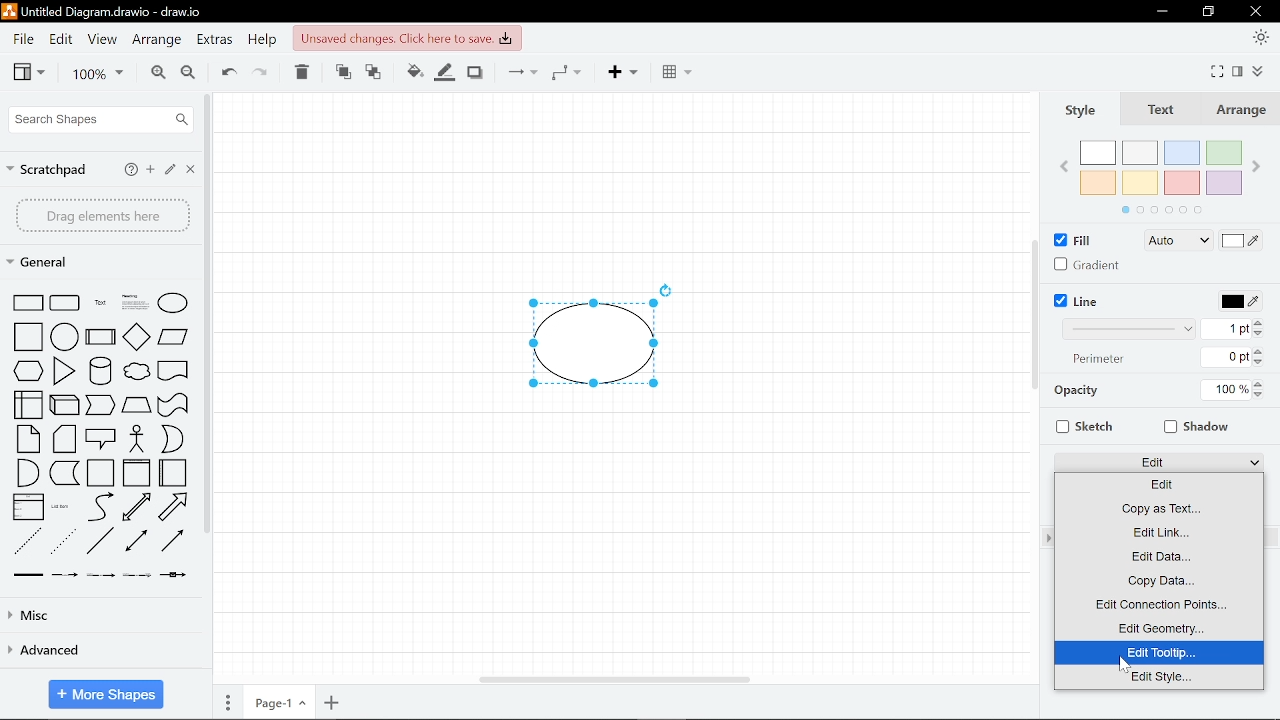  I want to click on General , so click(46, 264).